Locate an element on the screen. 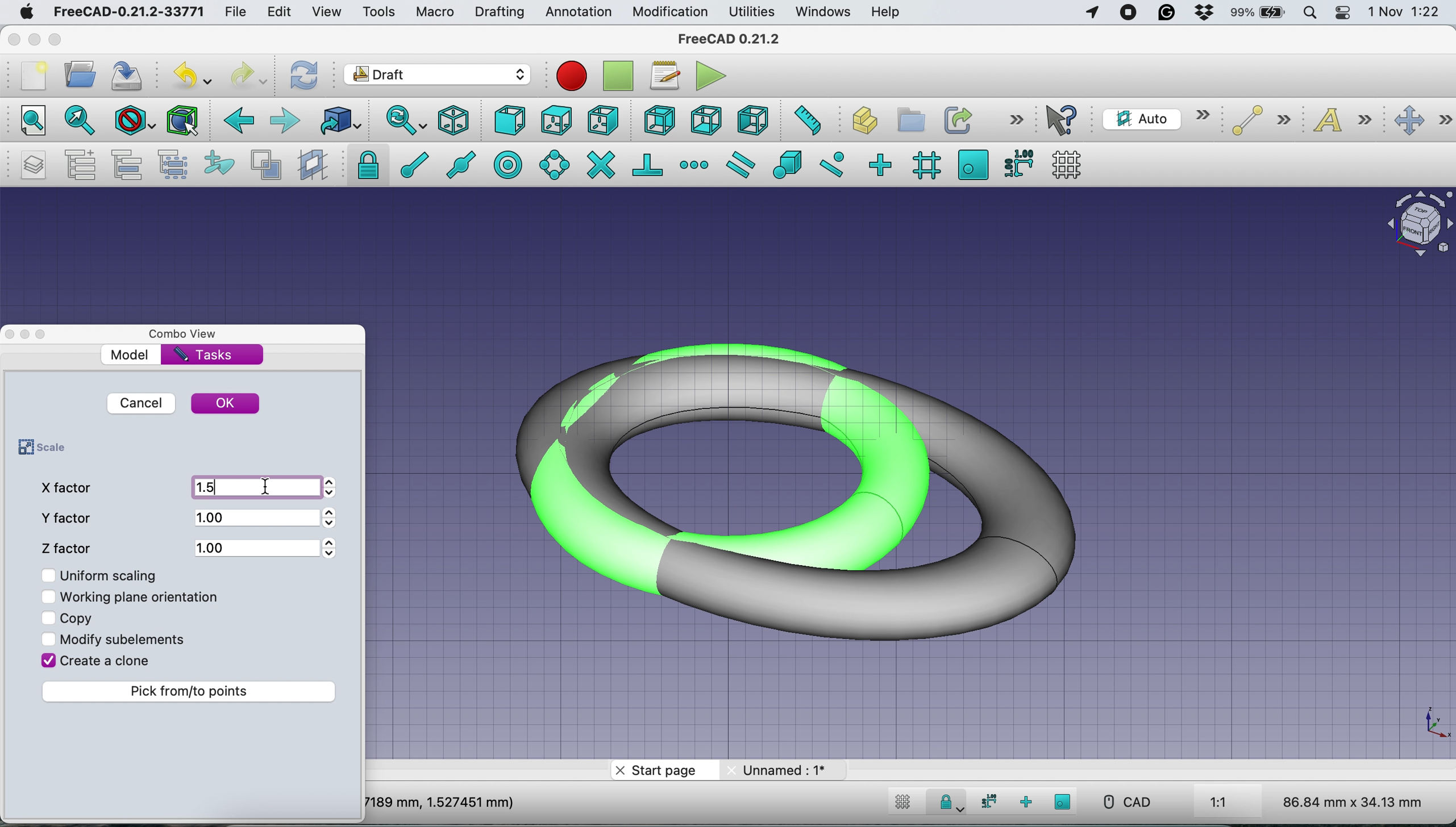 This screenshot has width=1456, height=827. bottom is located at coordinates (708, 119).